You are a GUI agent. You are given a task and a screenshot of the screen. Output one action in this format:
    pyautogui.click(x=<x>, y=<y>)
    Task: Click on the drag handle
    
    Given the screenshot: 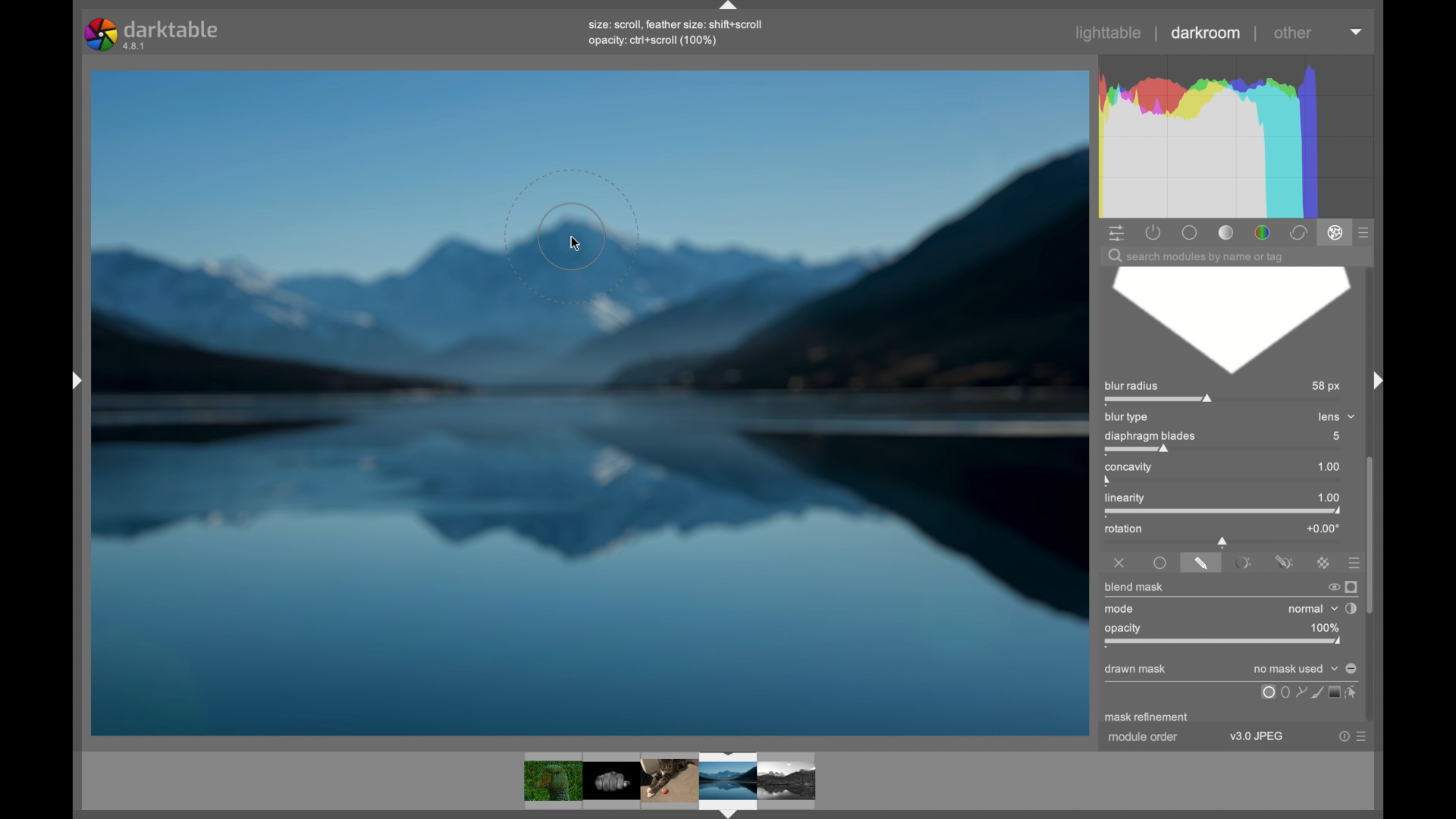 What is the action you would take?
    pyautogui.click(x=1373, y=379)
    